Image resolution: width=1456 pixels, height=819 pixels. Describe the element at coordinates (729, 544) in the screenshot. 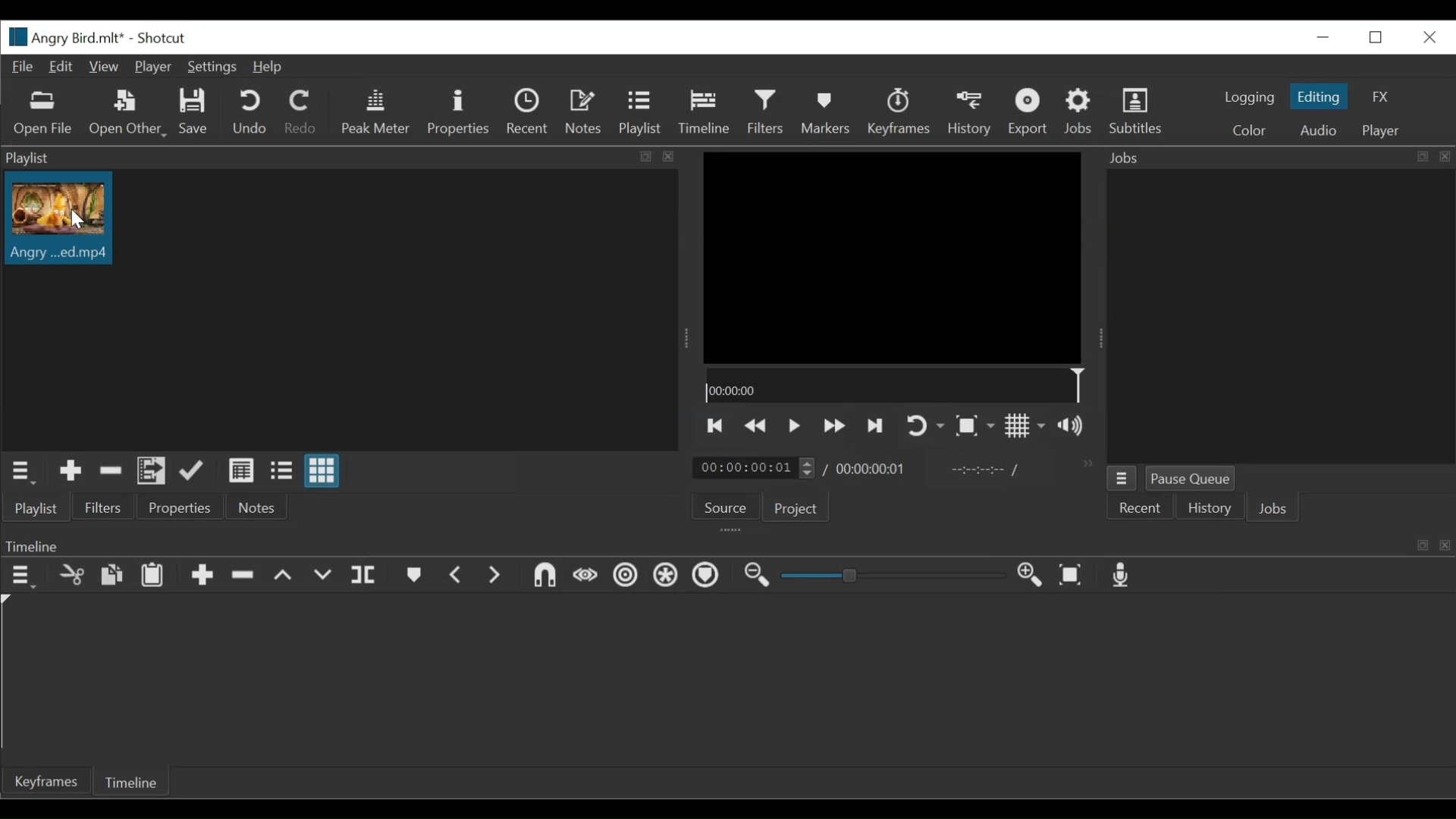

I see `Timeline Panel` at that location.